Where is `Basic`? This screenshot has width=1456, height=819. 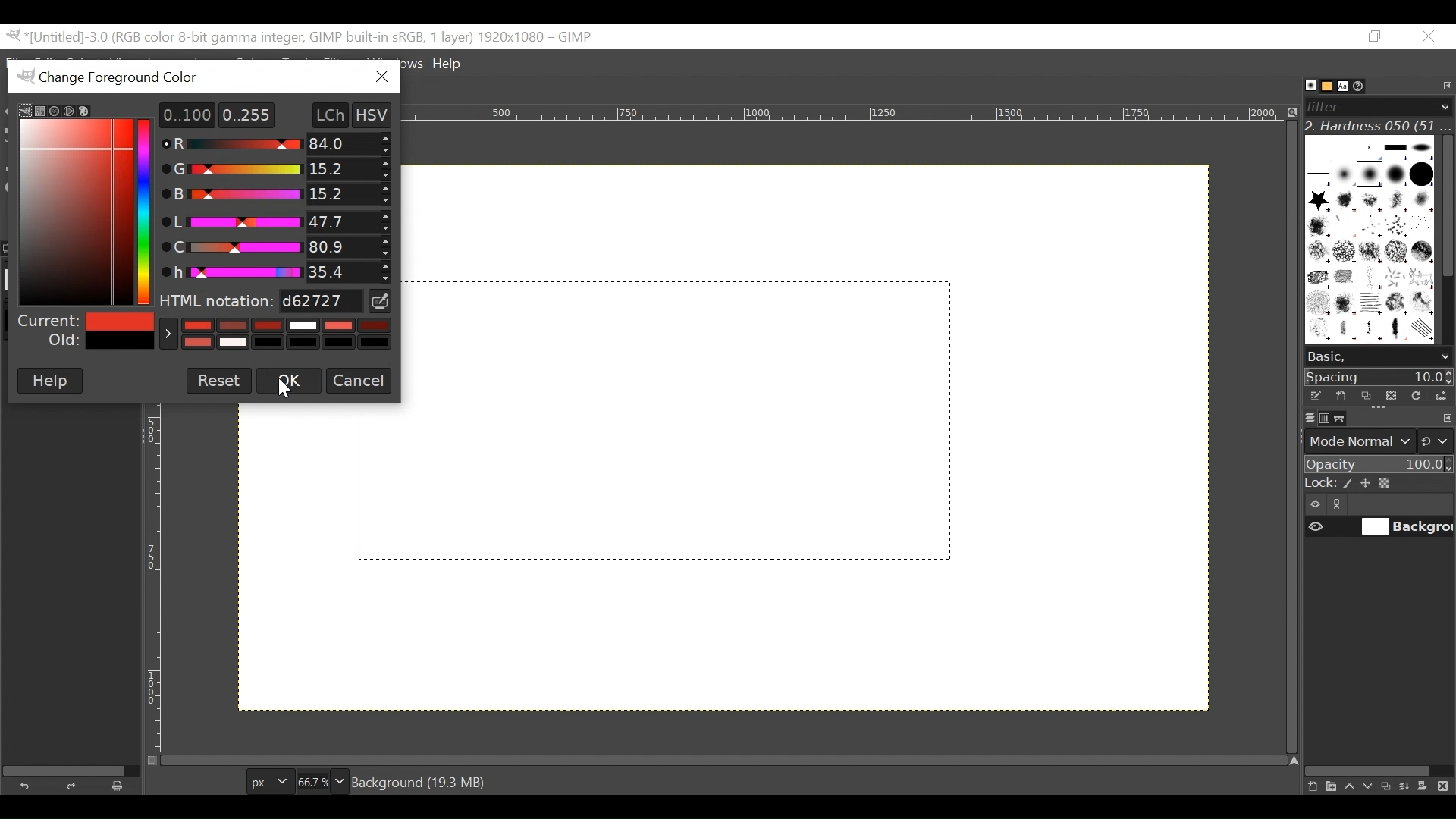
Basic is located at coordinates (1323, 86).